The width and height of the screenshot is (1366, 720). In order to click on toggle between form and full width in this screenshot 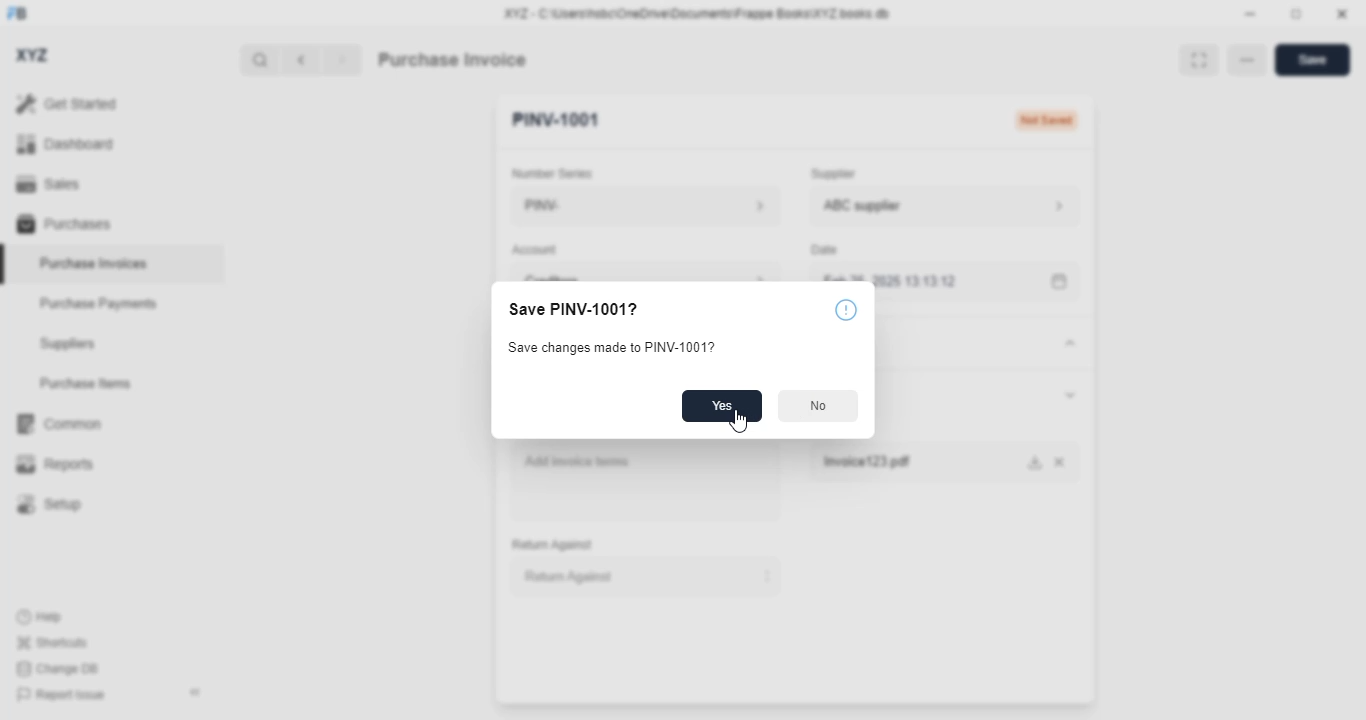, I will do `click(1198, 61)`.